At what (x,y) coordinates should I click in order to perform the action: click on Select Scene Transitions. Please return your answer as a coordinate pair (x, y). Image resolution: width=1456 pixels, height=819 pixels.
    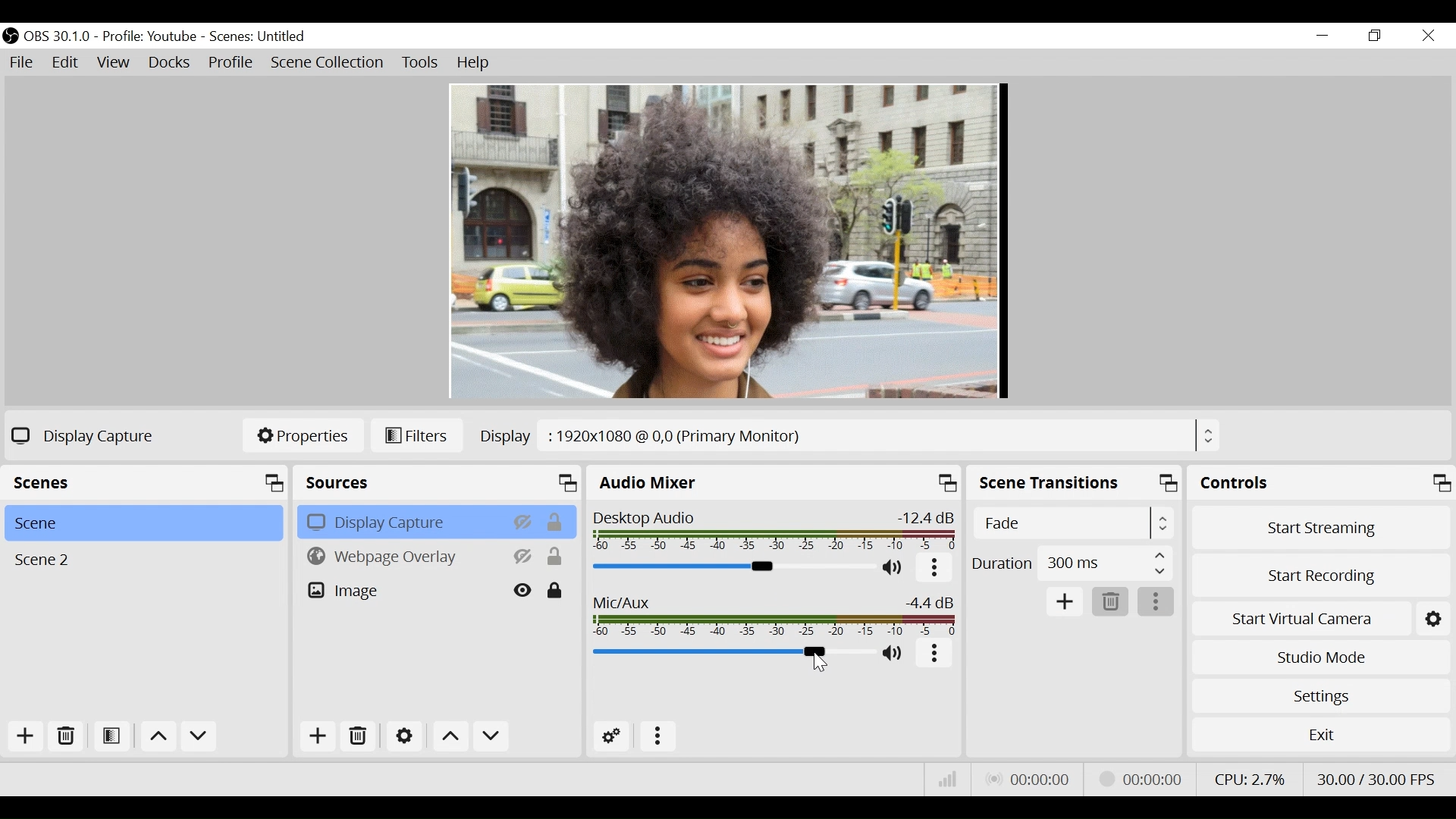
    Looking at the image, I should click on (1073, 522).